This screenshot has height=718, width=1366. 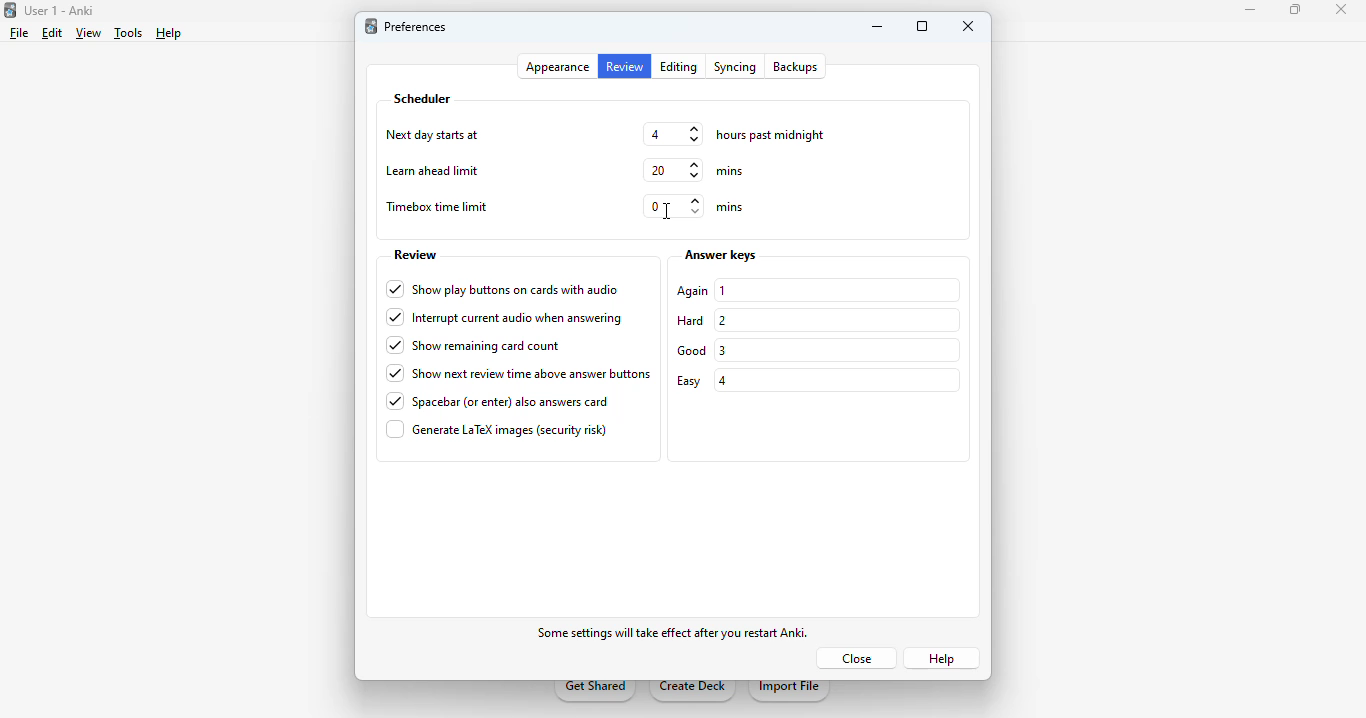 I want to click on close, so click(x=1341, y=12).